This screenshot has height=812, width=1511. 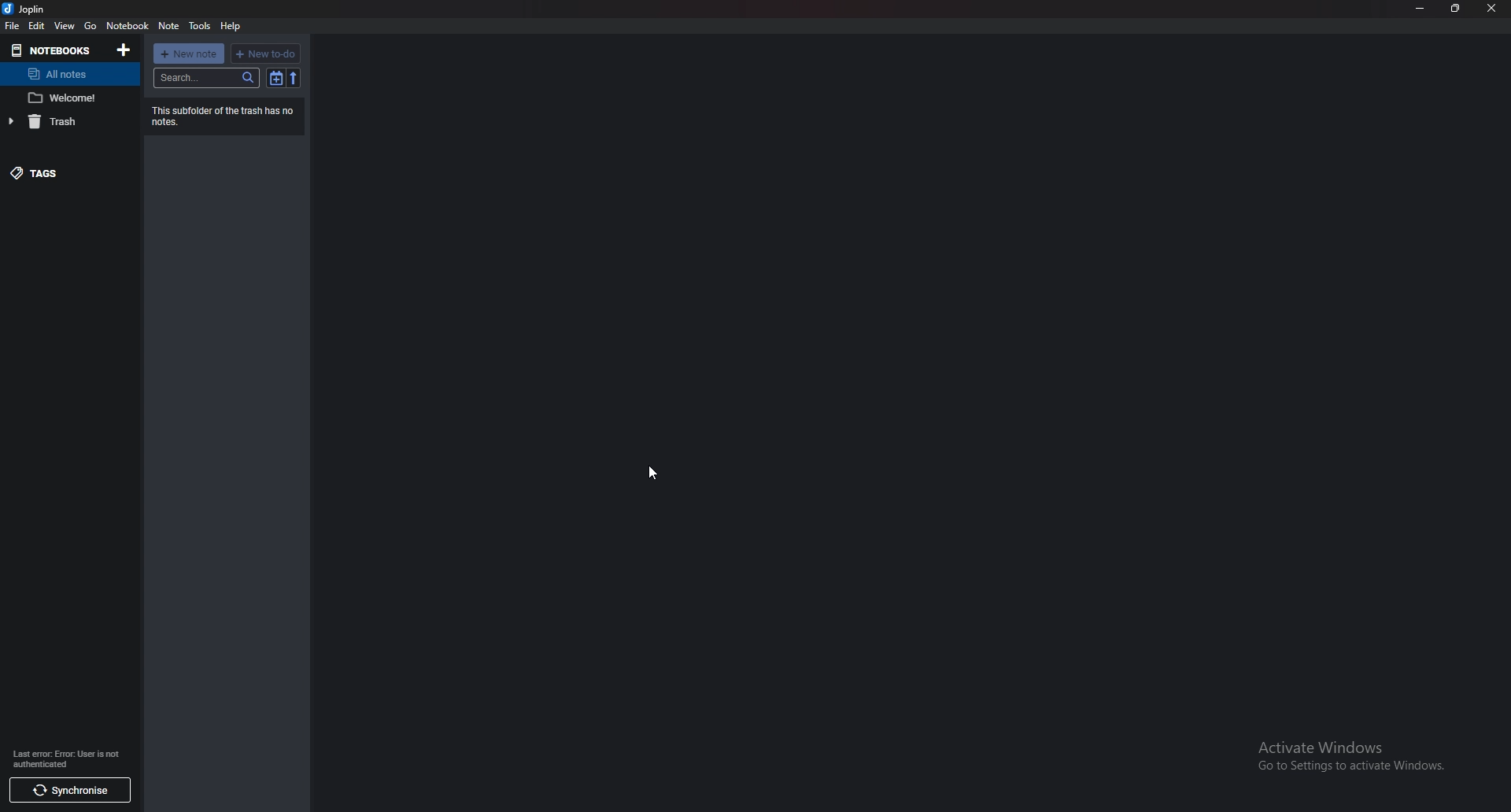 I want to click on notebooks, so click(x=54, y=50).